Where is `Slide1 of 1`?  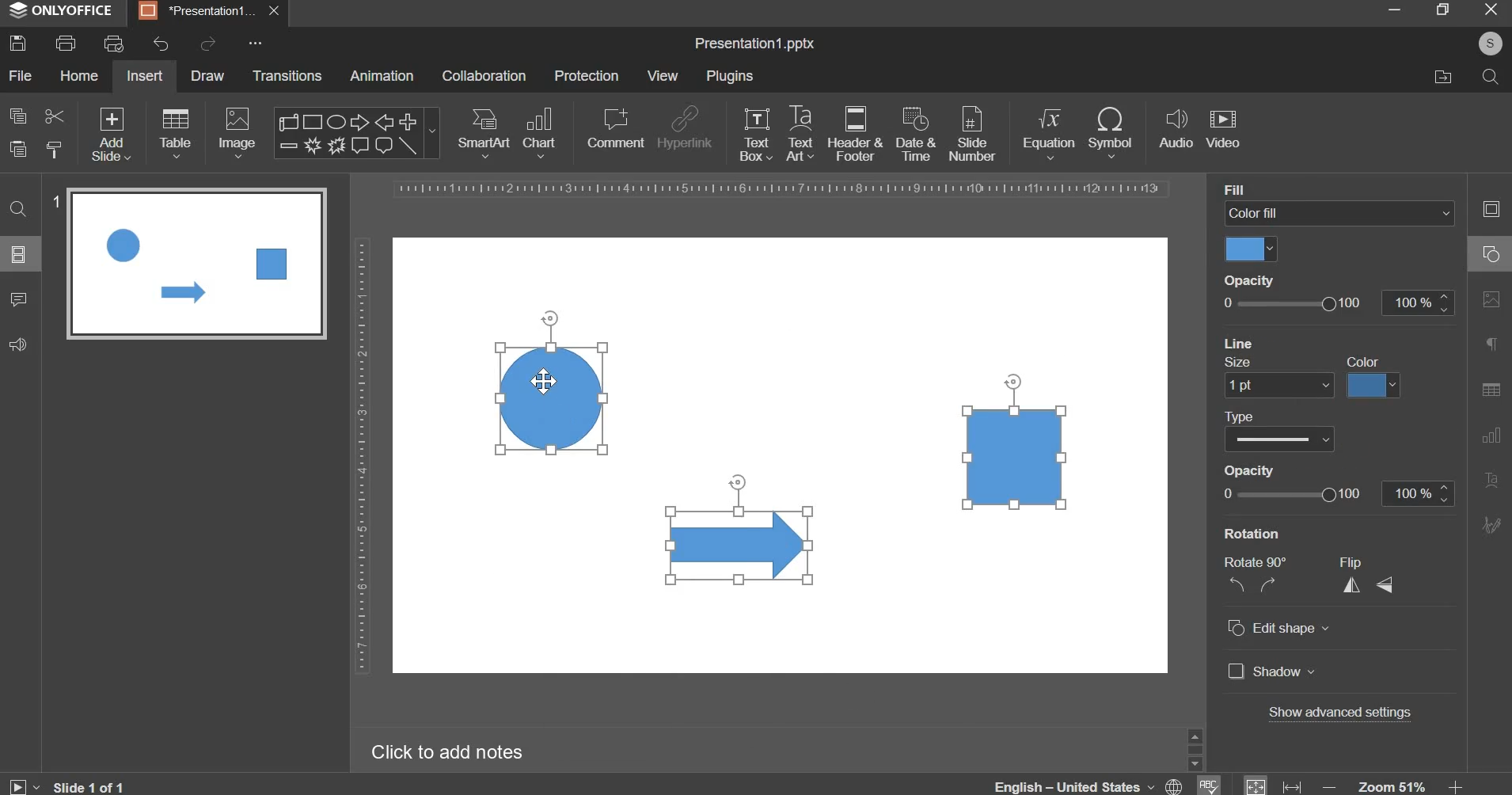 Slide1 of 1 is located at coordinates (88, 786).